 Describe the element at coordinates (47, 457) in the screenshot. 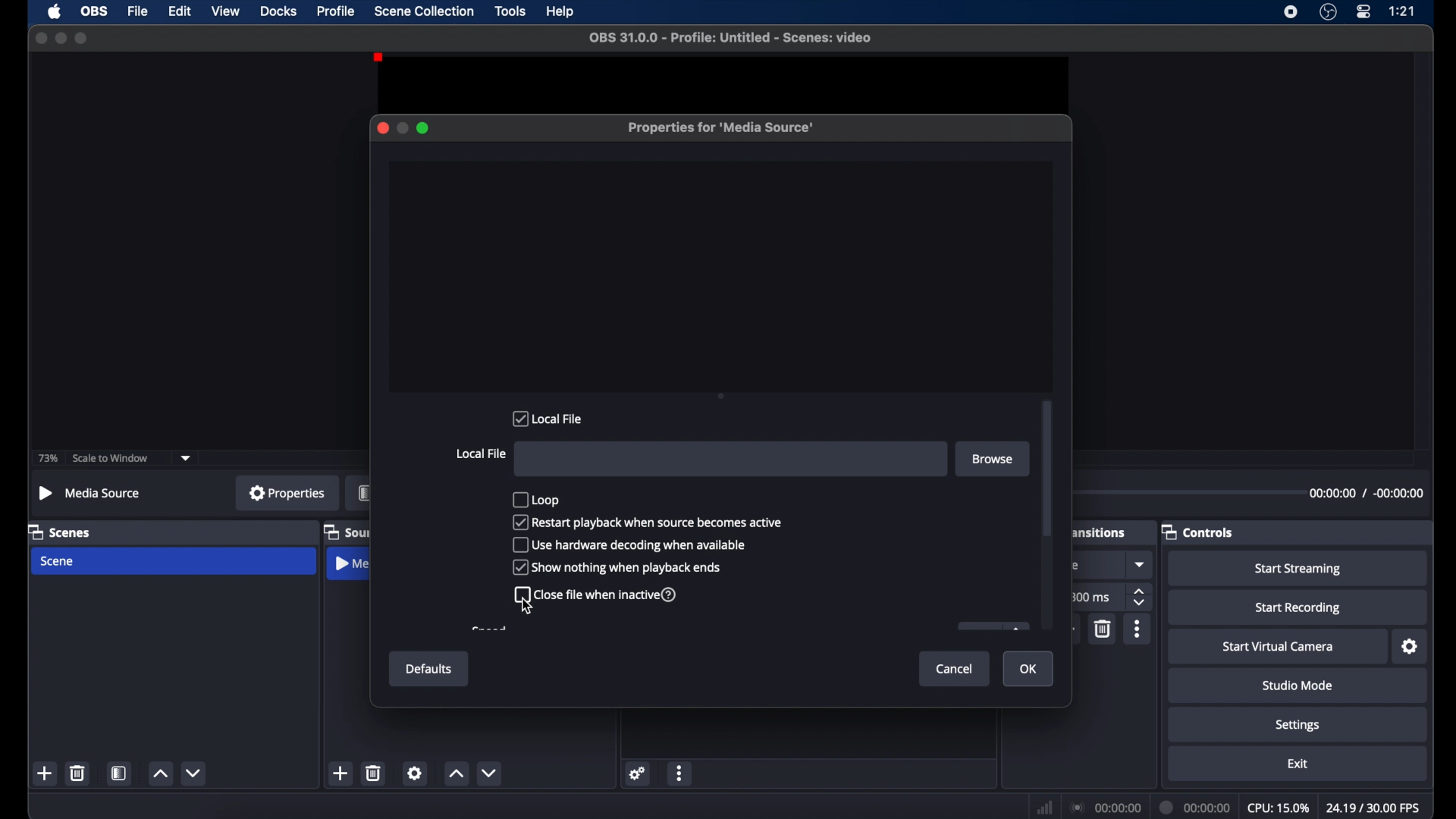

I see `73%` at that location.